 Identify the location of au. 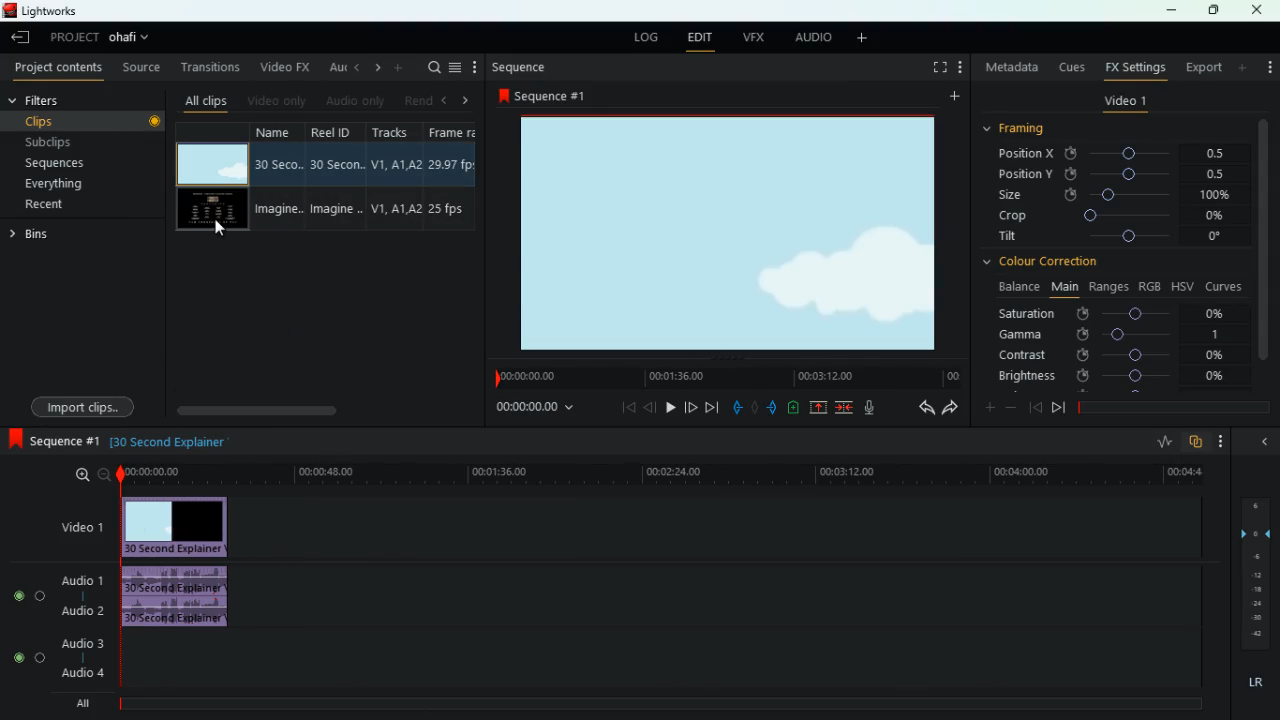
(334, 67).